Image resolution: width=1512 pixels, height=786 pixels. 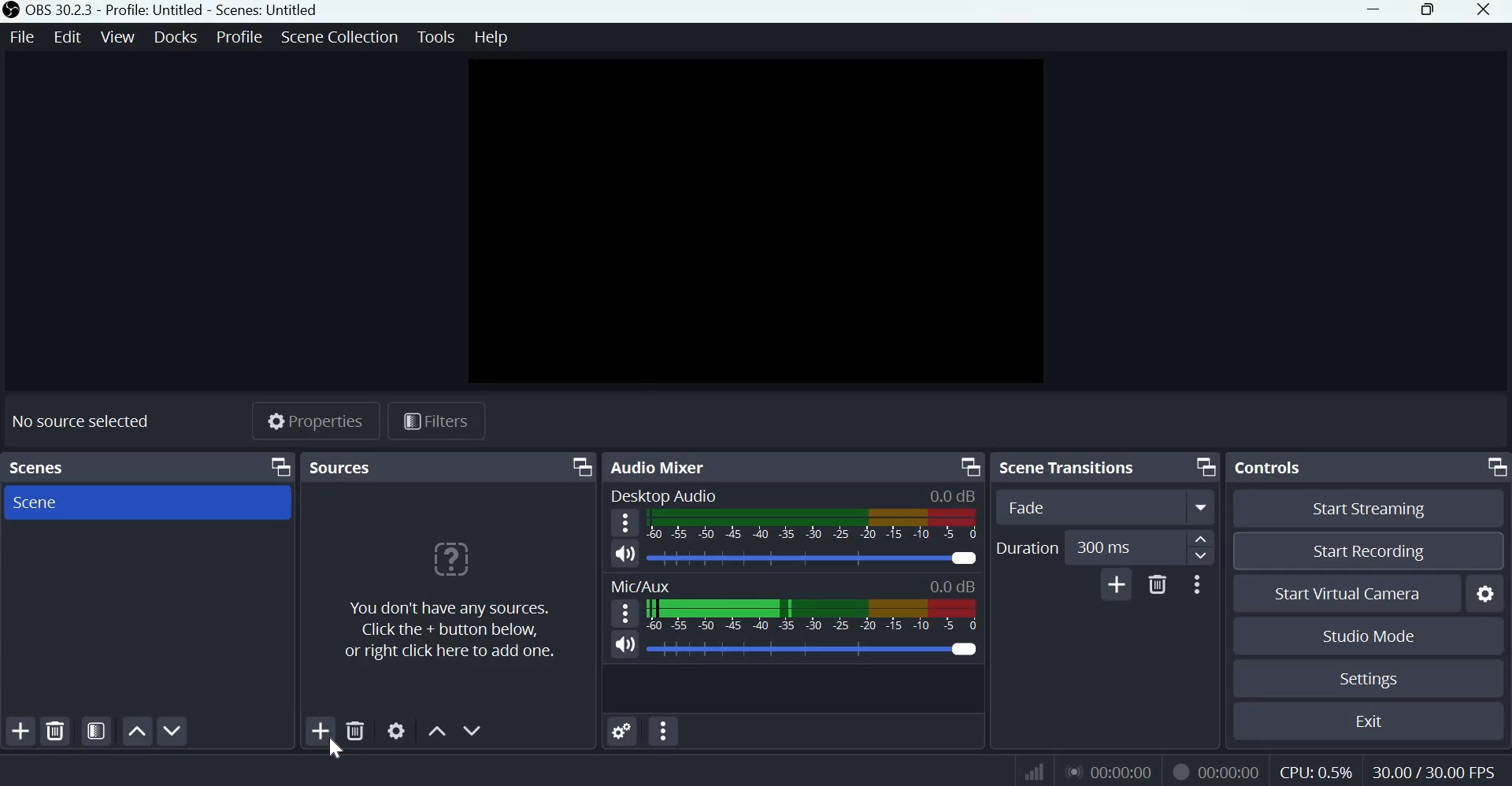 What do you see at coordinates (972, 466) in the screenshot?
I see `Dock Options icon` at bounding box center [972, 466].